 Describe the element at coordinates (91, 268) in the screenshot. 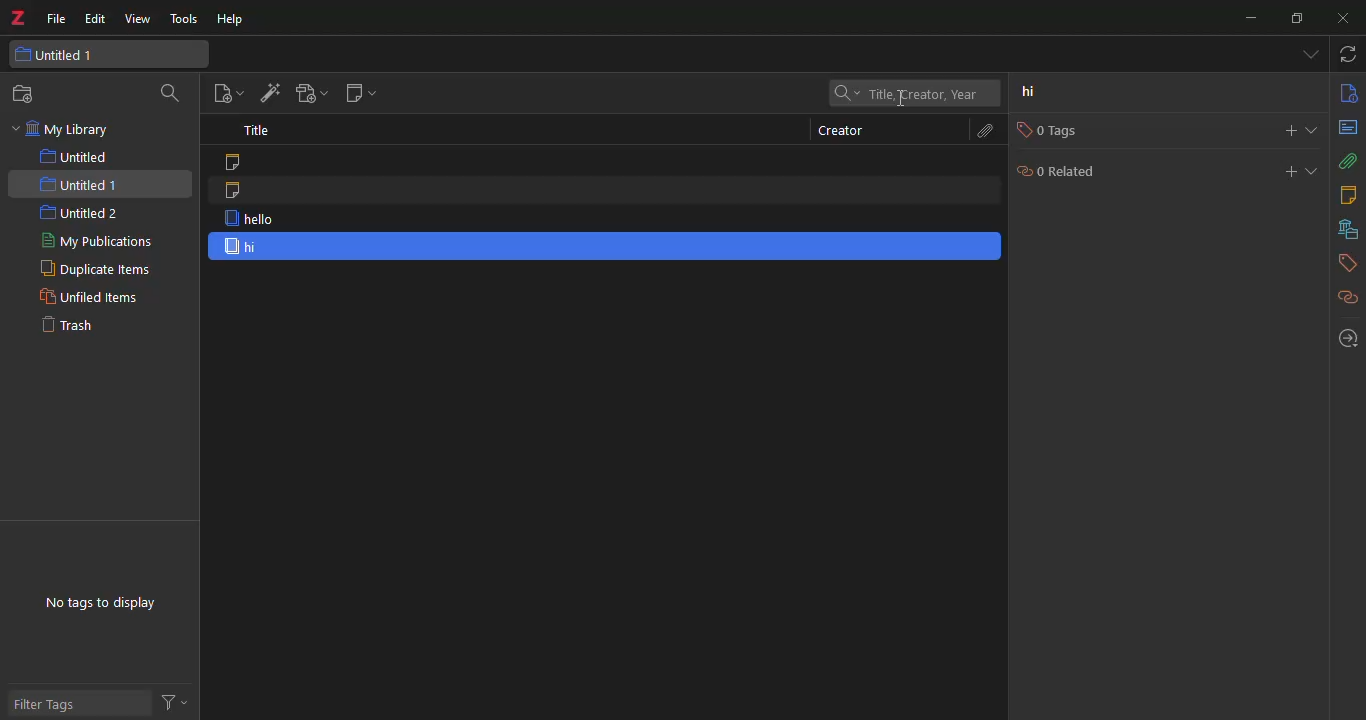

I see `duplicate items` at that location.